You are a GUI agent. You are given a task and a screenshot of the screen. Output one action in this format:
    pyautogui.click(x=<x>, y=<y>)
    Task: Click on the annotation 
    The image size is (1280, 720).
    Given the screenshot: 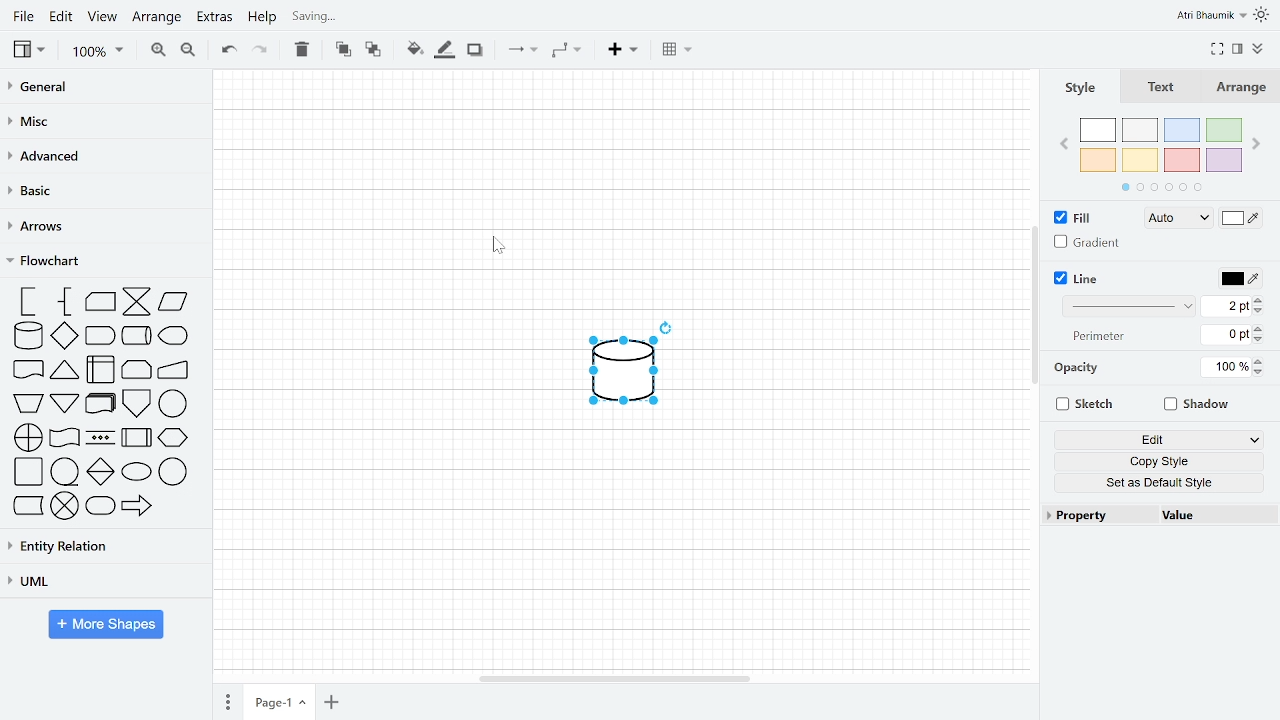 What is the action you would take?
    pyautogui.click(x=26, y=302)
    